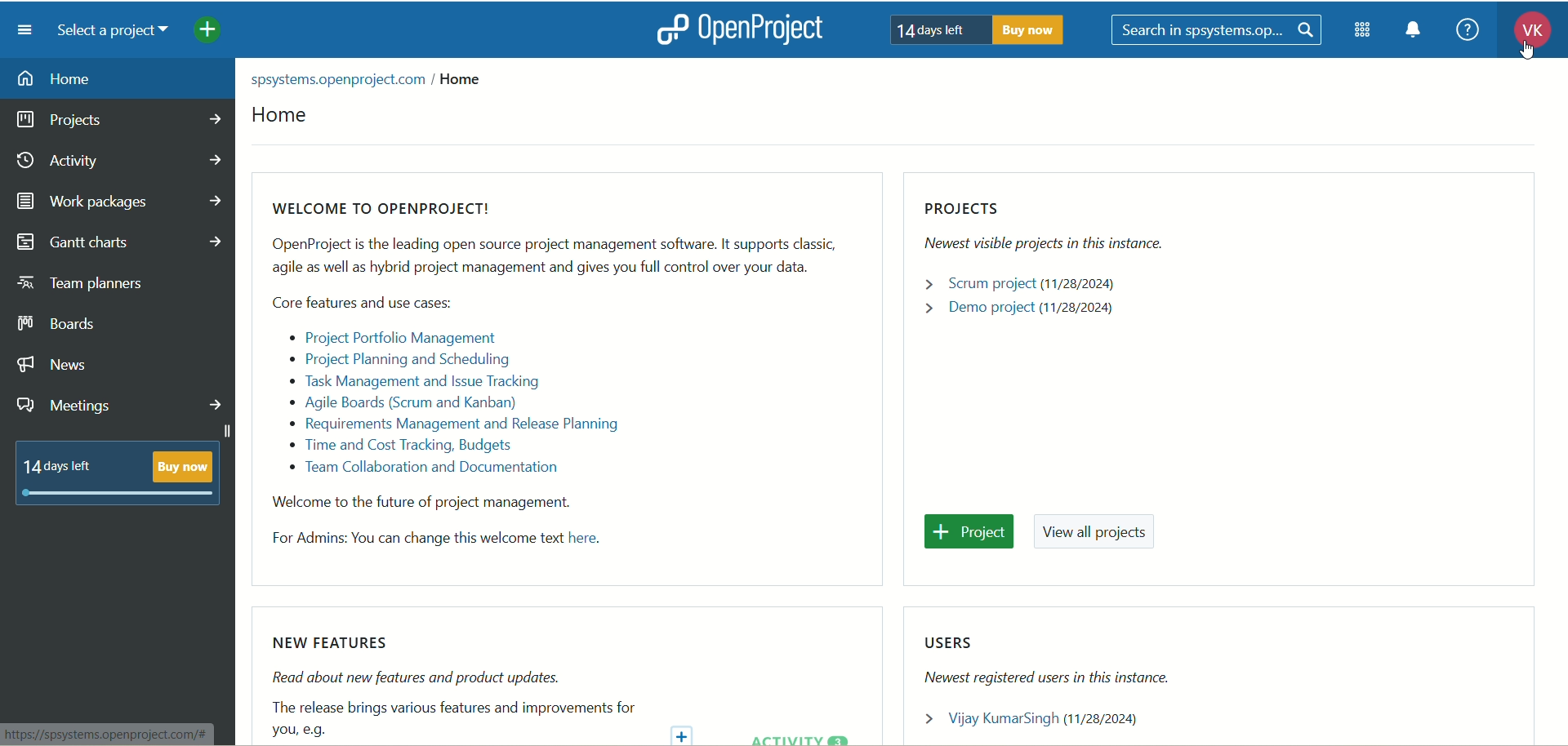 The height and width of the screenshot is (746, 1568). I want to click on location, so click(375, 80).